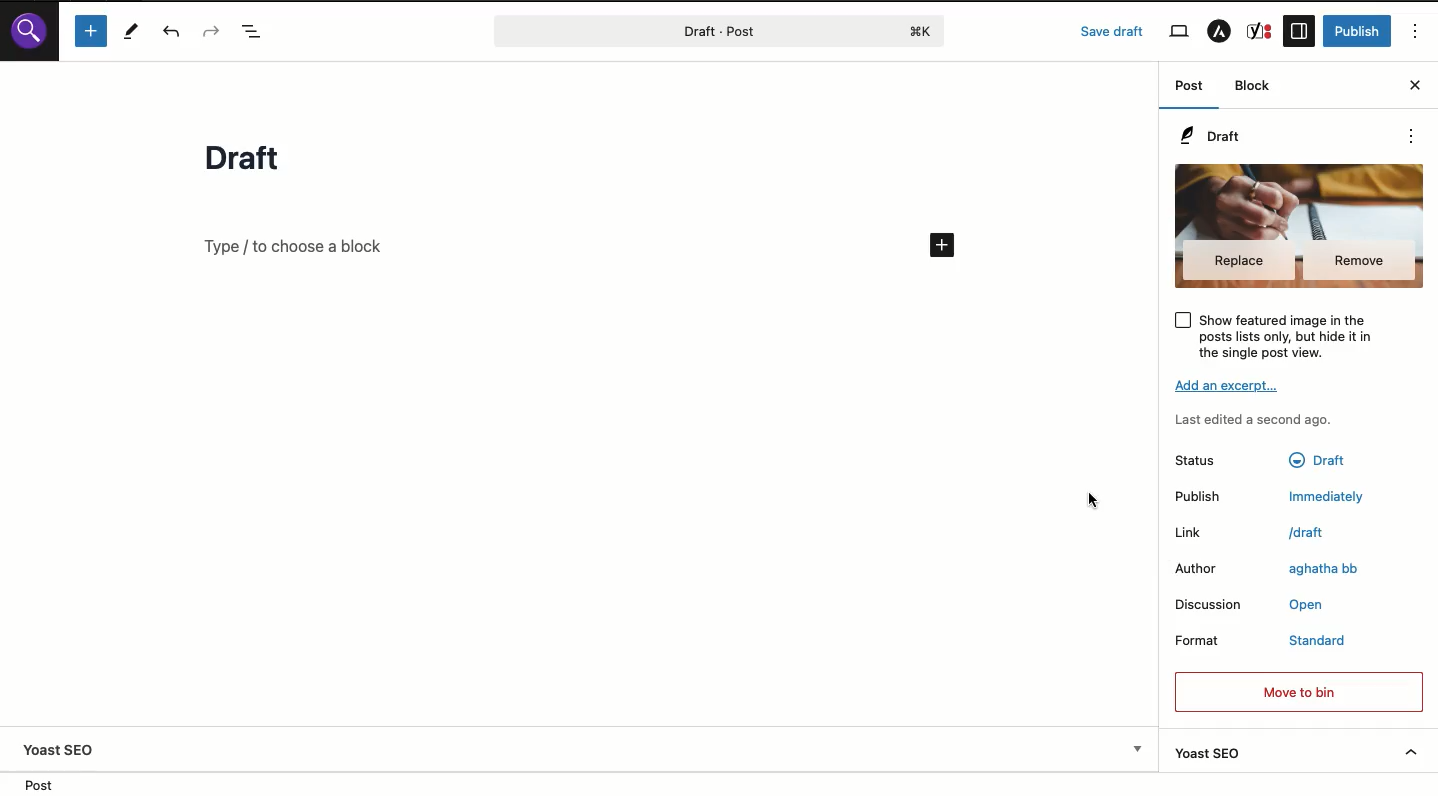 The height and width of the screenshot is (796, 1438). I want to click on Checkbox , so click(1180, 319).